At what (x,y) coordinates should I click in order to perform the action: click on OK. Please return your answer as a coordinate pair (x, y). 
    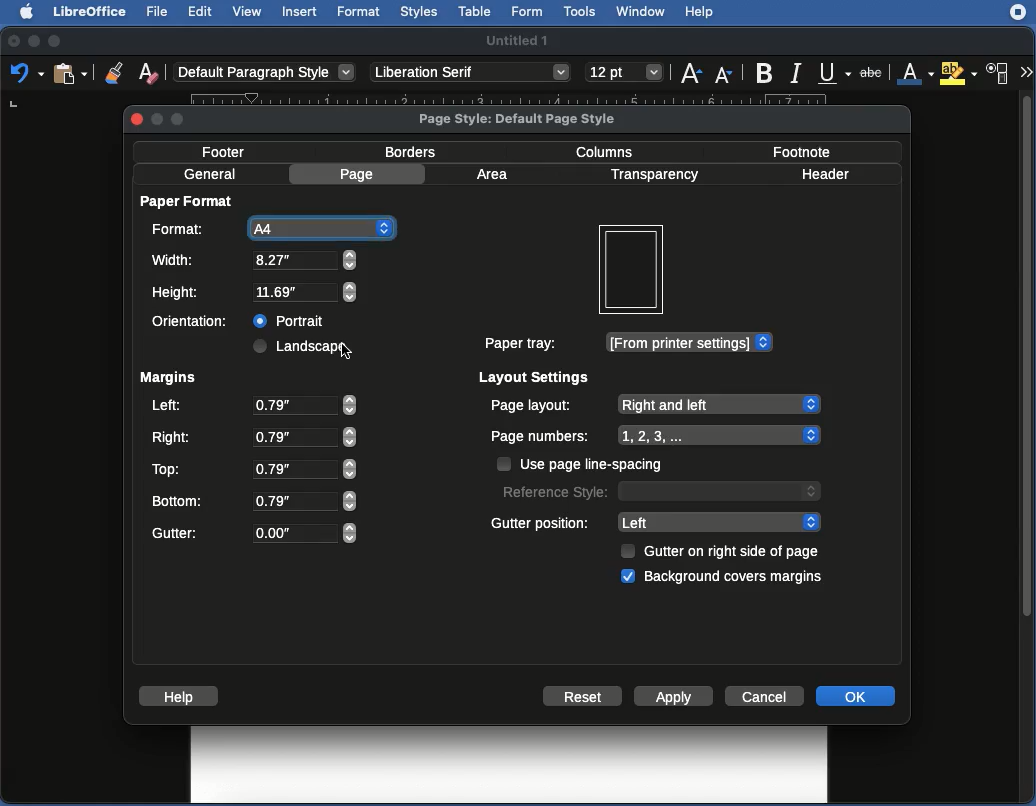
    Looking at the image, I should click on (857, 696).